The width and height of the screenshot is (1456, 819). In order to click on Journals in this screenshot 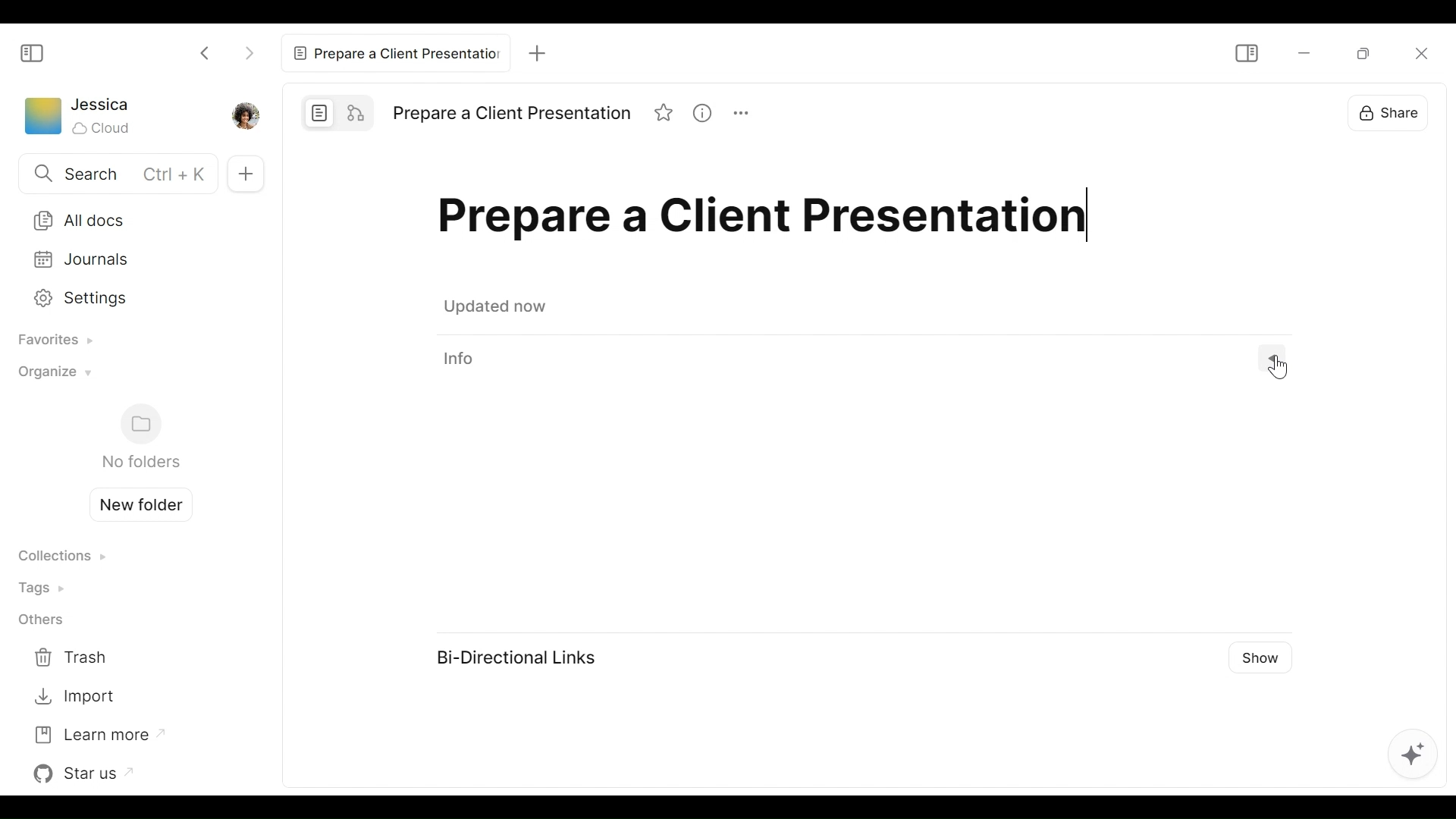, I will do `click(130, 259)`.